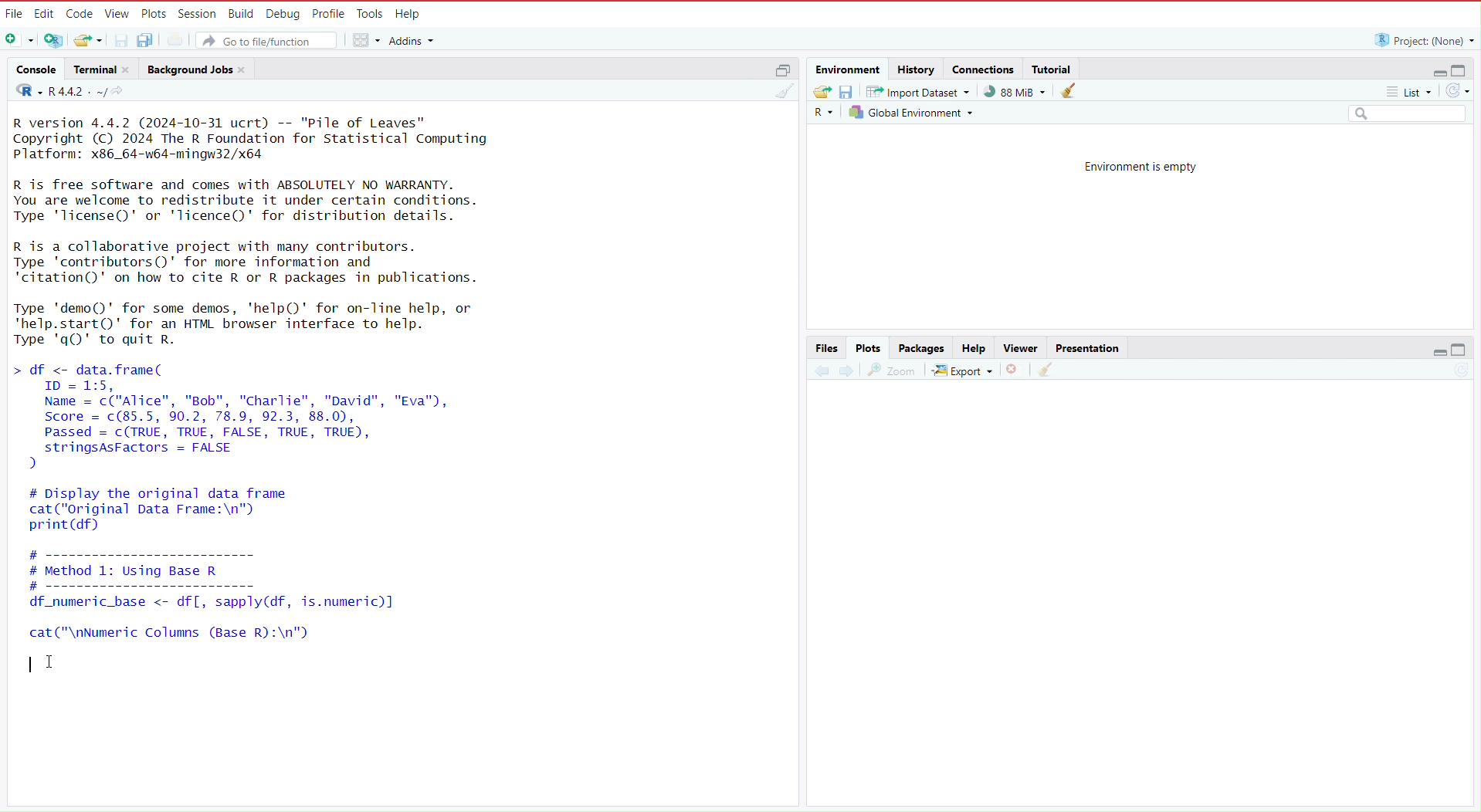 This screenshot has width=1481, height=812. I want to click on print the current file, so click(175, 41).